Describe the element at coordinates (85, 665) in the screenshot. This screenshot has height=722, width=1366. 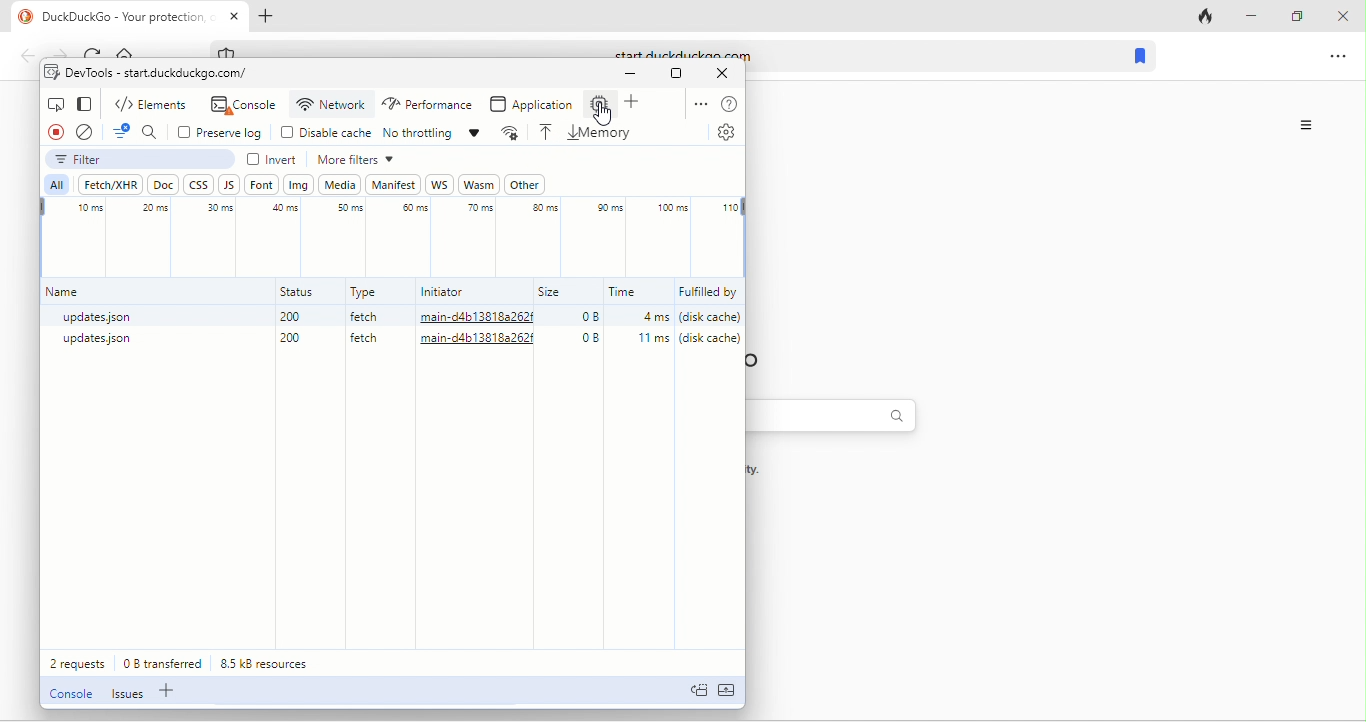
I see `2 requests` at that location.